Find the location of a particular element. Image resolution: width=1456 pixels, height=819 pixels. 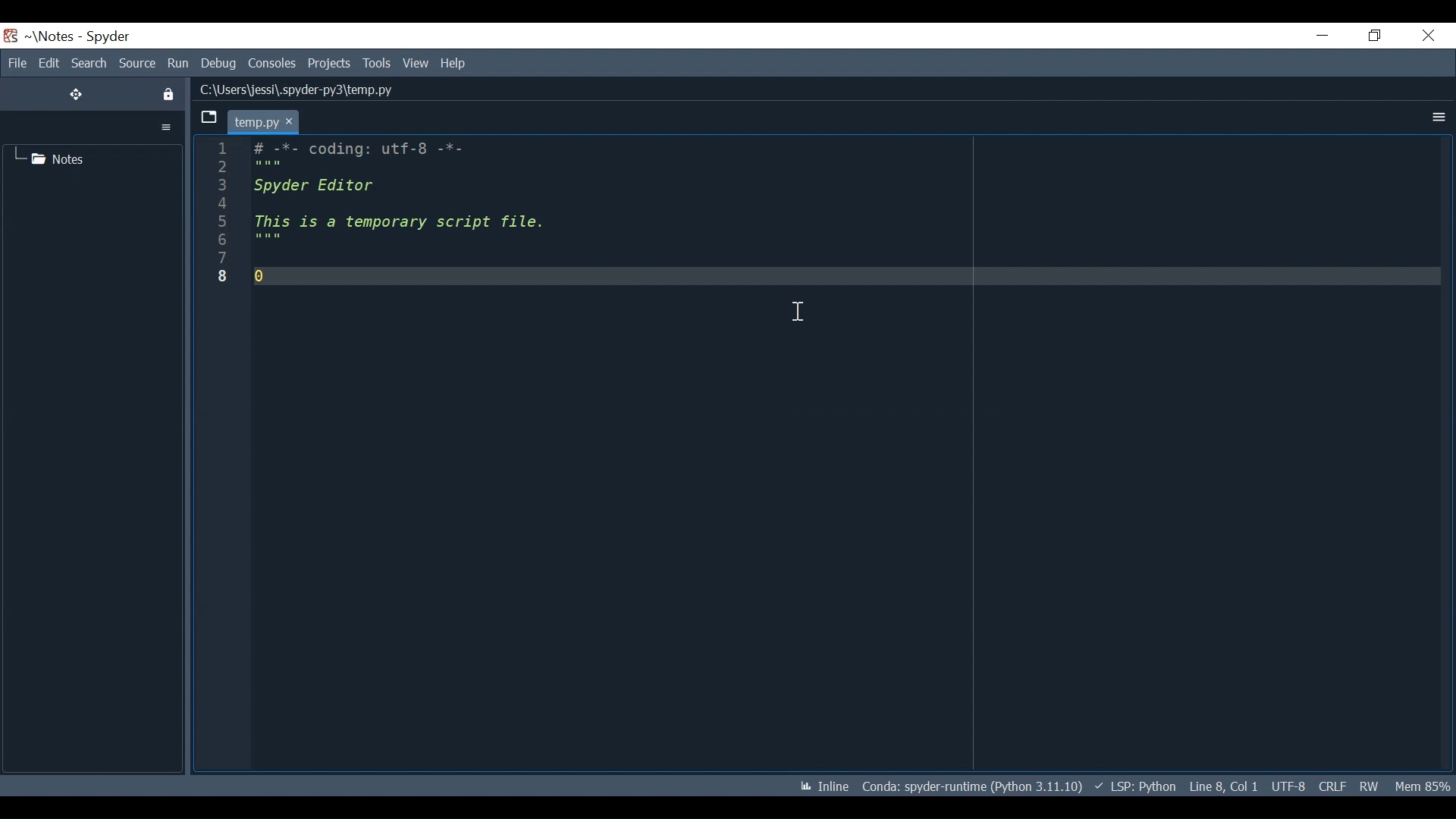

RW is located at coordinates (1373, 787).